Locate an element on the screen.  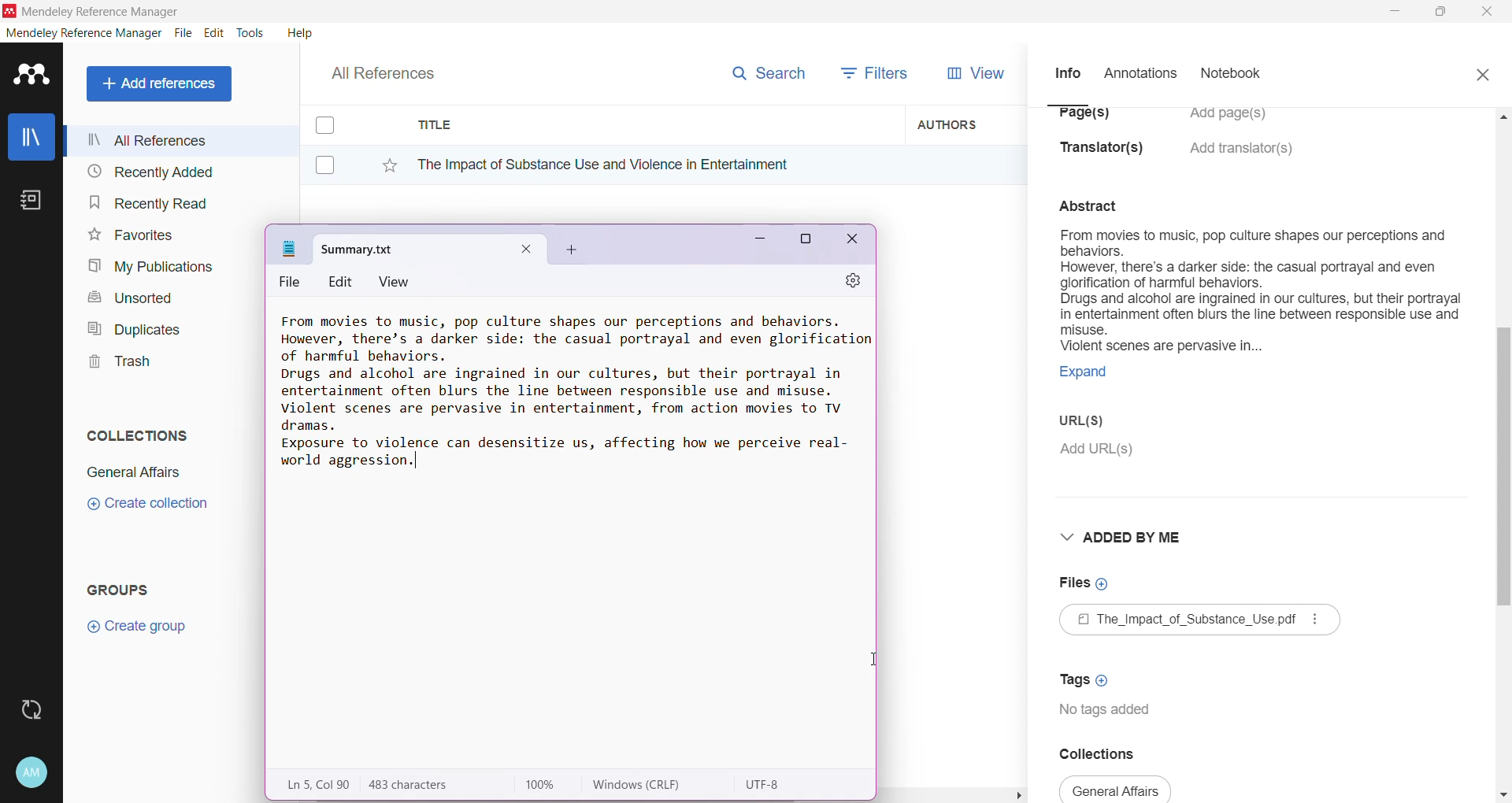
Restore Down is located at coordinates (1442, 13).